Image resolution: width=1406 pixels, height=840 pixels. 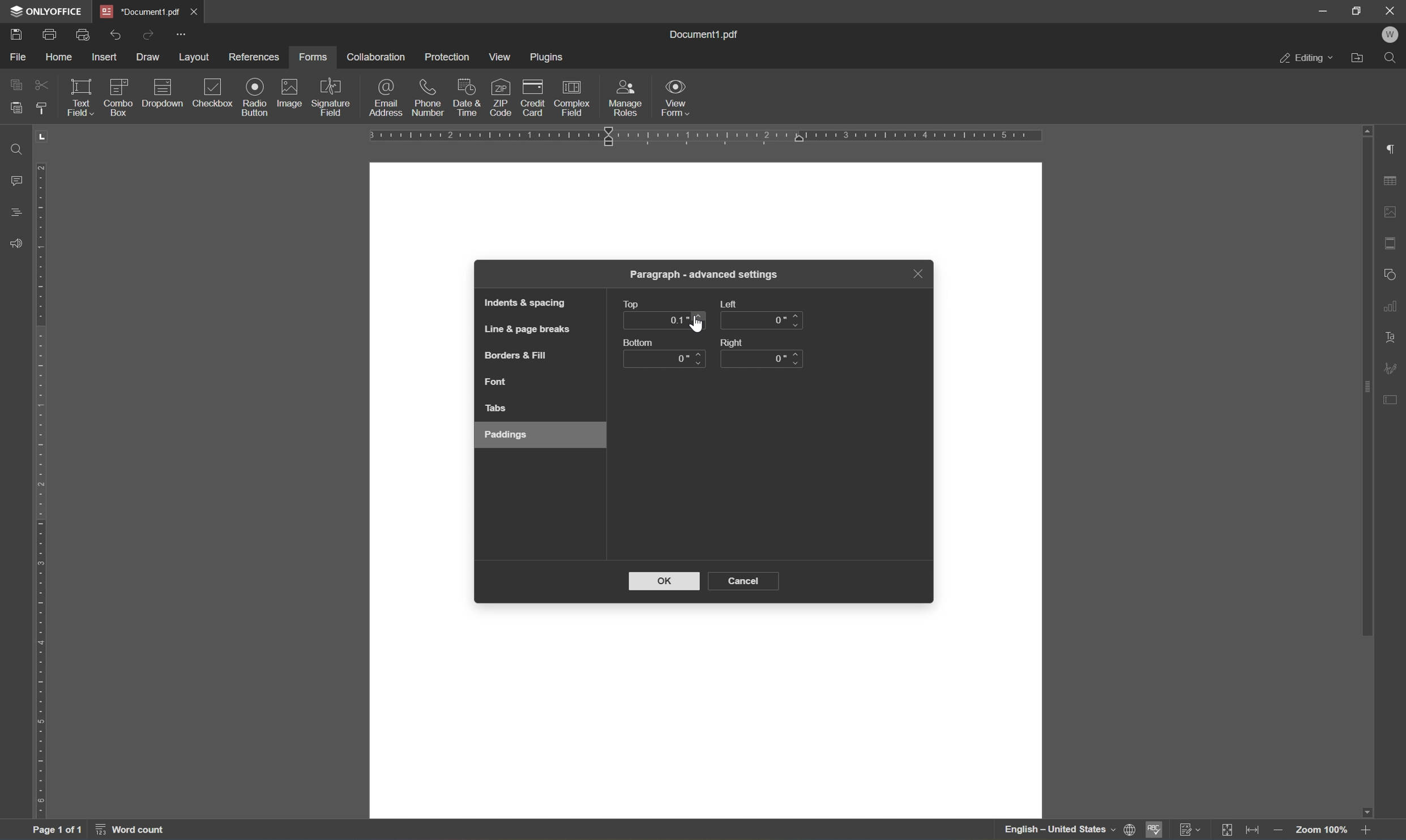 What do you see at coordinates (105, 57) in the screenshot?
I see `insert` at bounding box center [105, 57].